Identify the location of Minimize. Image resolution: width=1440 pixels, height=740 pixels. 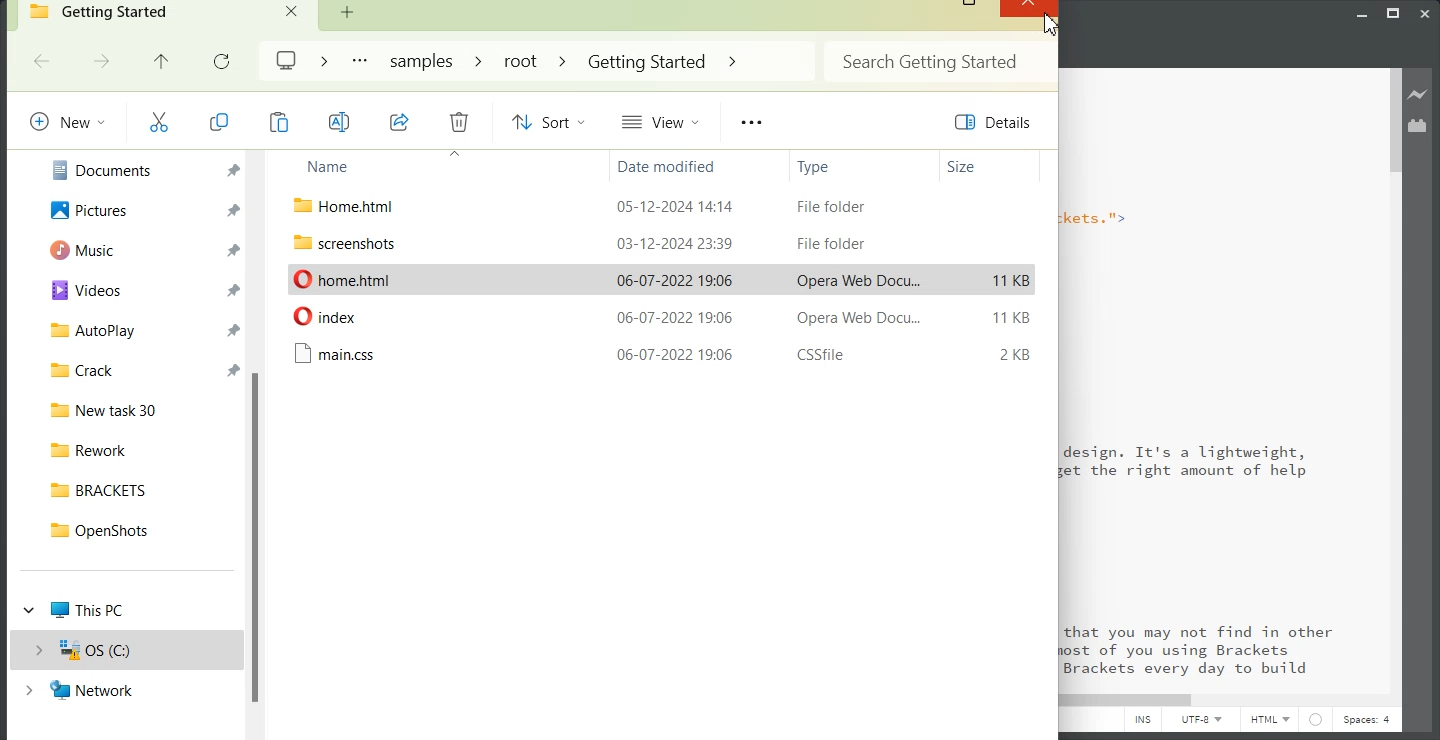
(1362, 11).